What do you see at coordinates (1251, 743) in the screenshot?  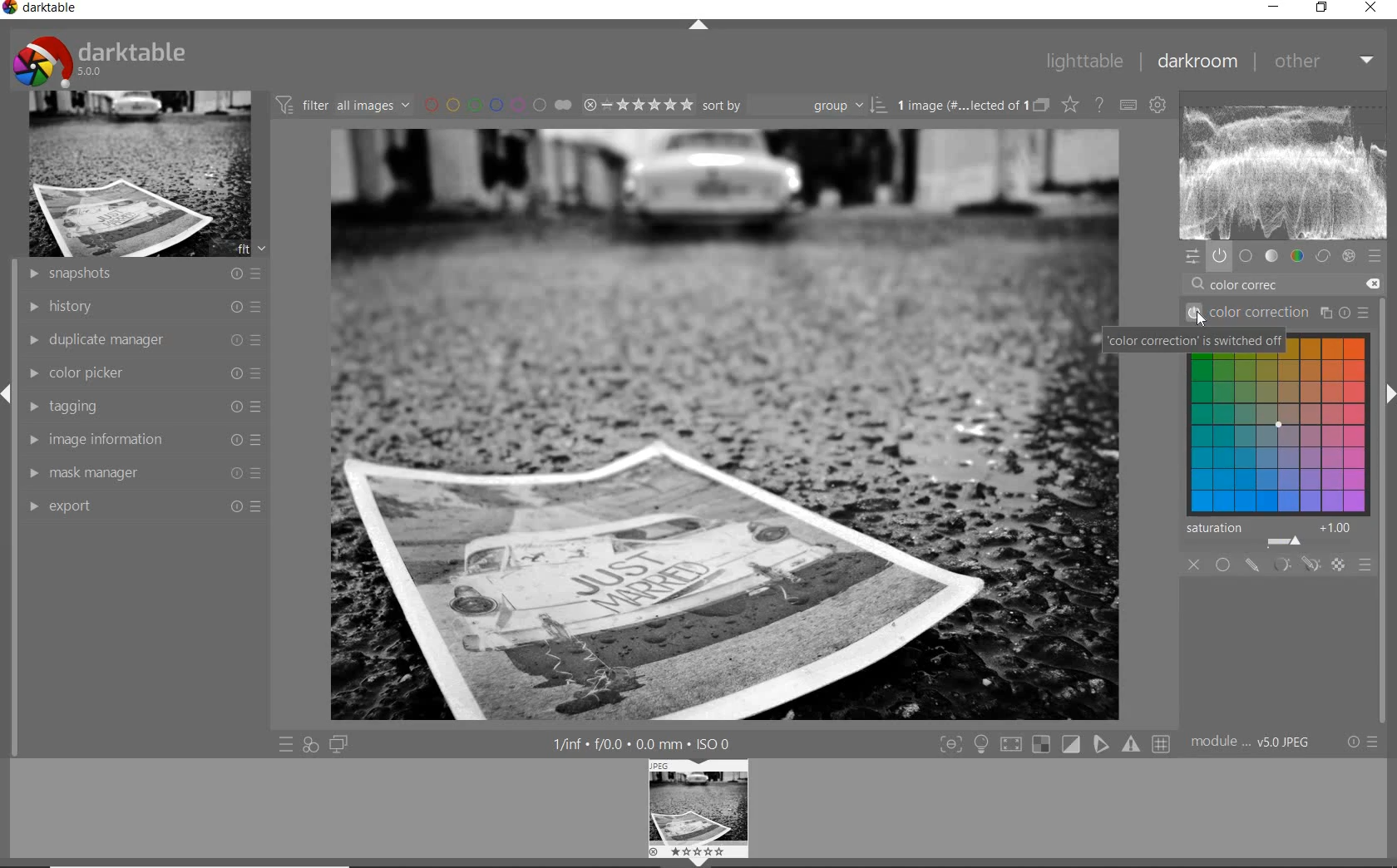 I see `model order` at bounding box center [1251, 743].